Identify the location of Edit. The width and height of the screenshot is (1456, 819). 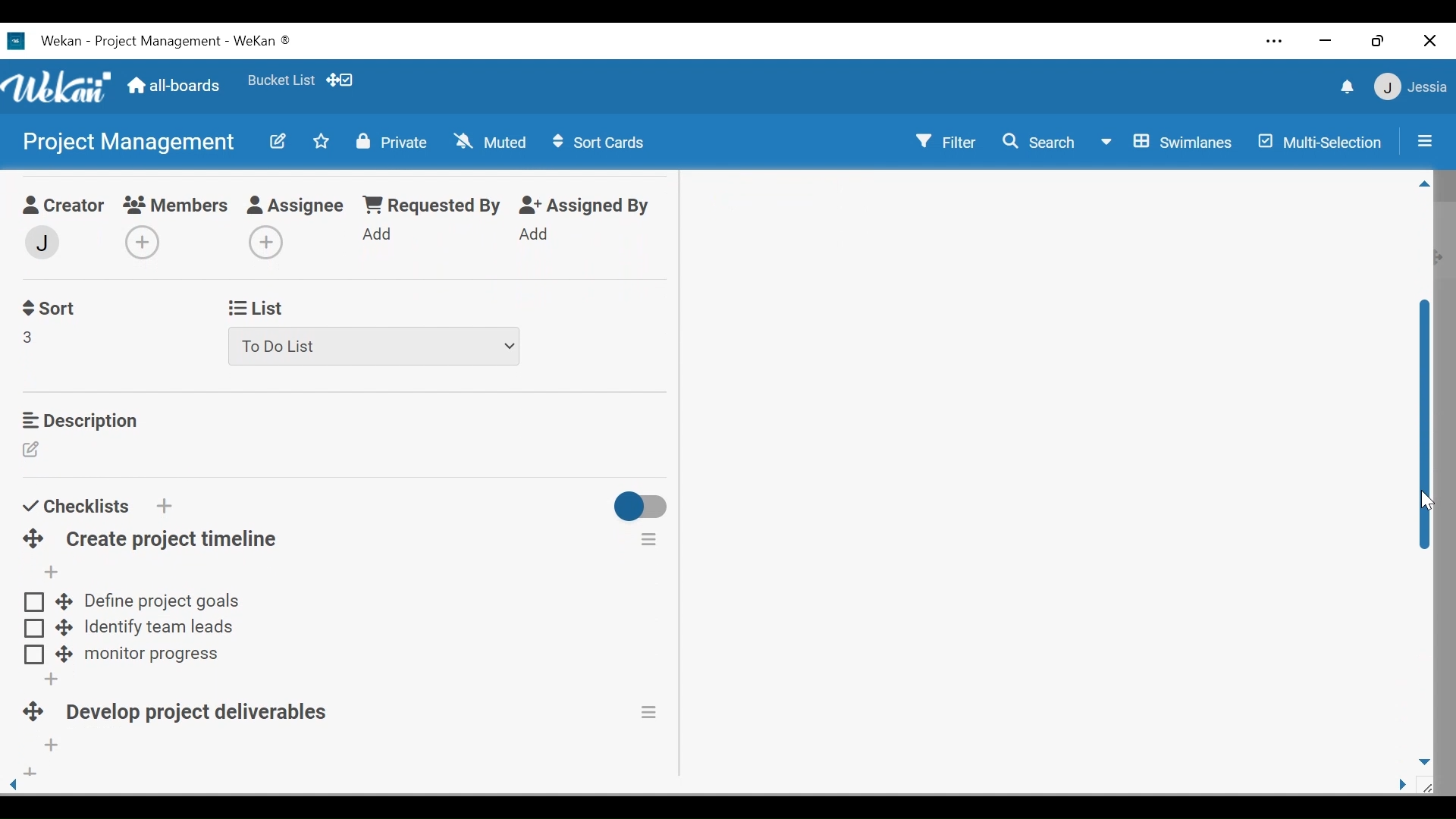
(280, 143).